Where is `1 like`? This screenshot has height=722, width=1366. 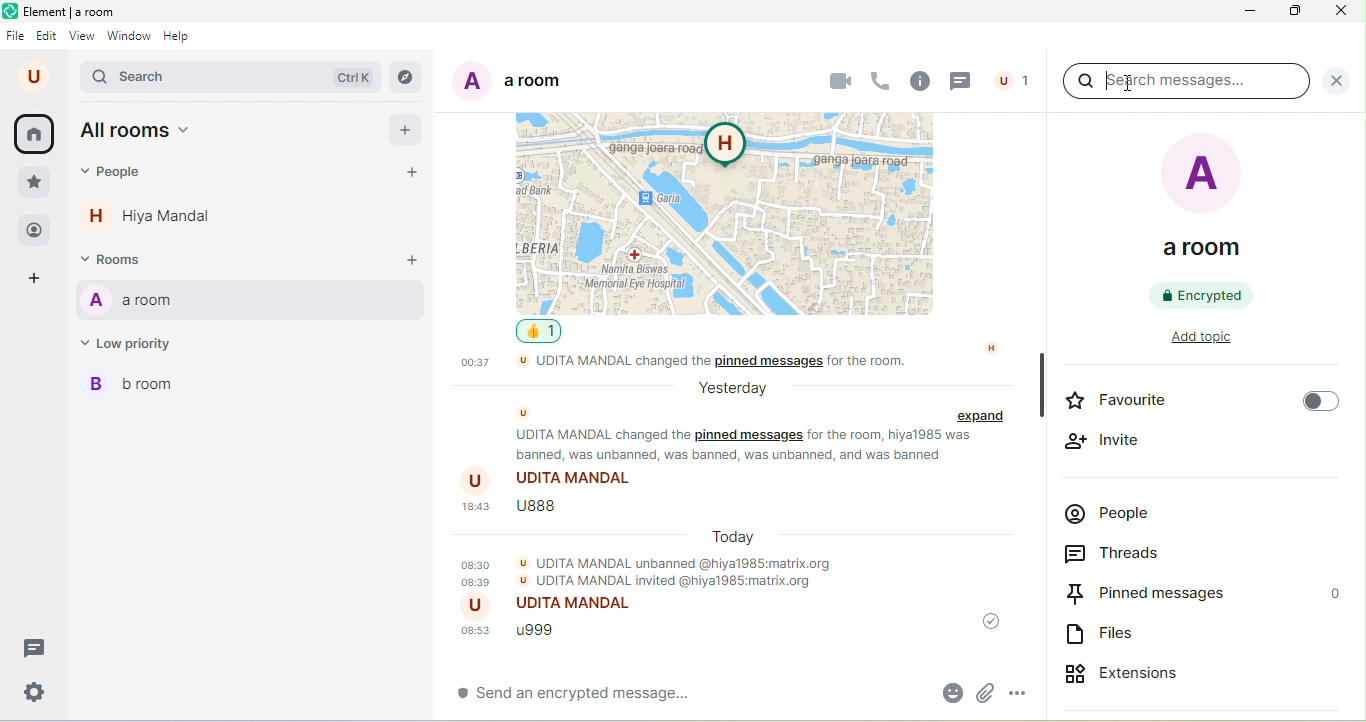
1 like is located at coordinates (544, 332).